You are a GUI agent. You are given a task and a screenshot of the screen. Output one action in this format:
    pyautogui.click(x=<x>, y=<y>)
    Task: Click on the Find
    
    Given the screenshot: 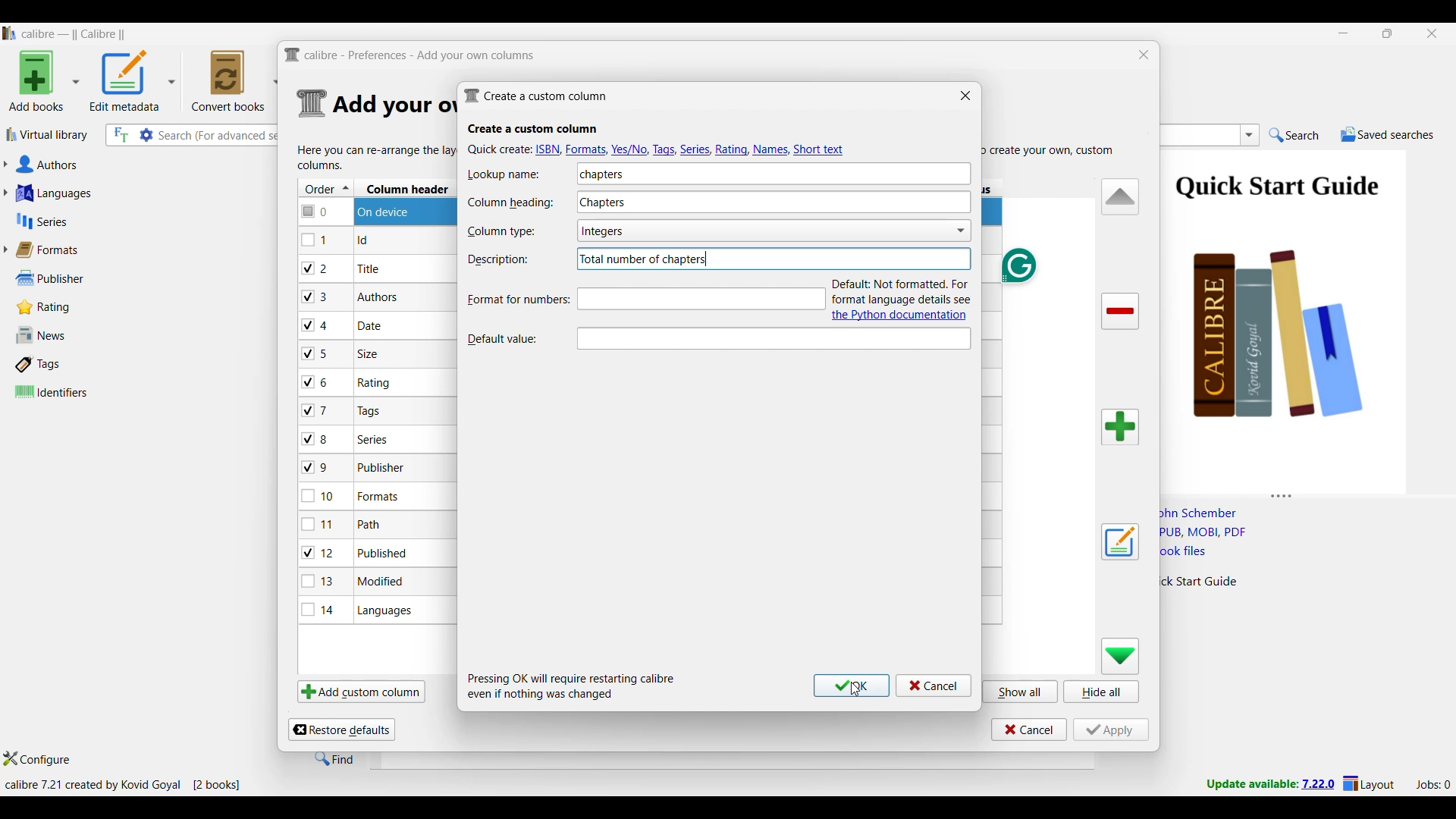 What is the action you would take?
    pyautogui.click(x=334, y=758)
    